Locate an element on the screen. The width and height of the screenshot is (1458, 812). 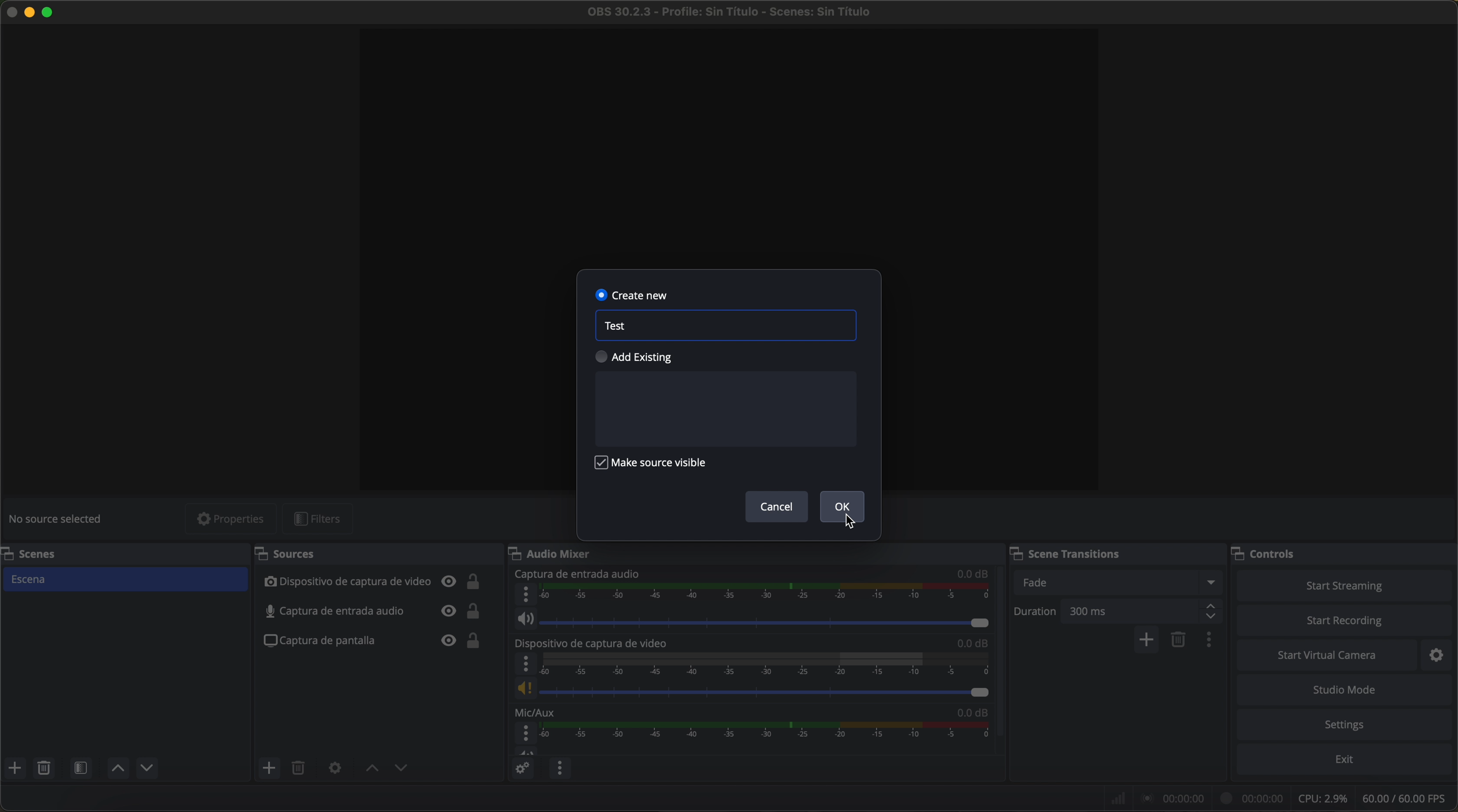
click on add source is located at coordinates (272, 769).